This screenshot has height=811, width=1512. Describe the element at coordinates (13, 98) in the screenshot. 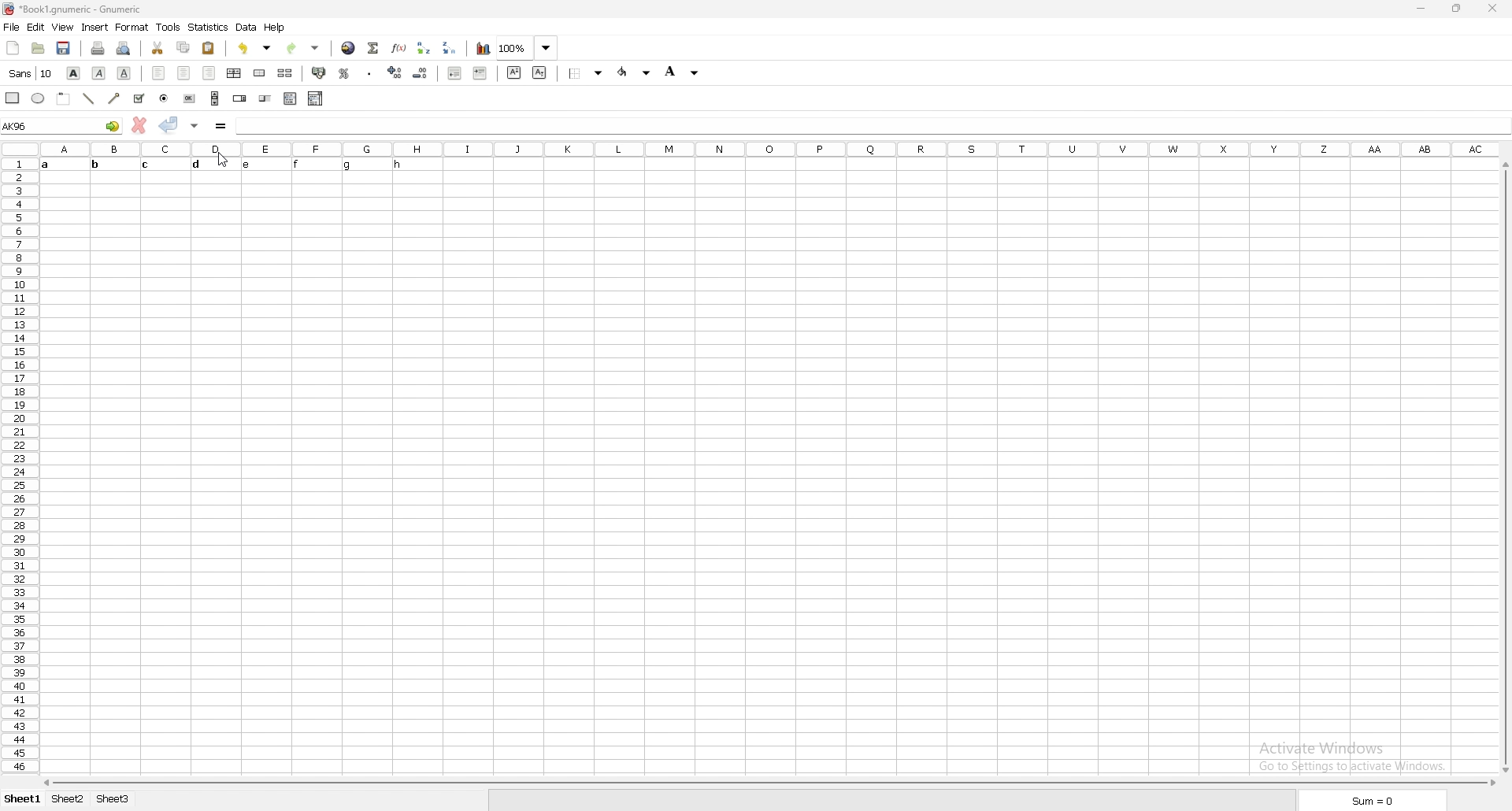

I see `rectangle` at that location.